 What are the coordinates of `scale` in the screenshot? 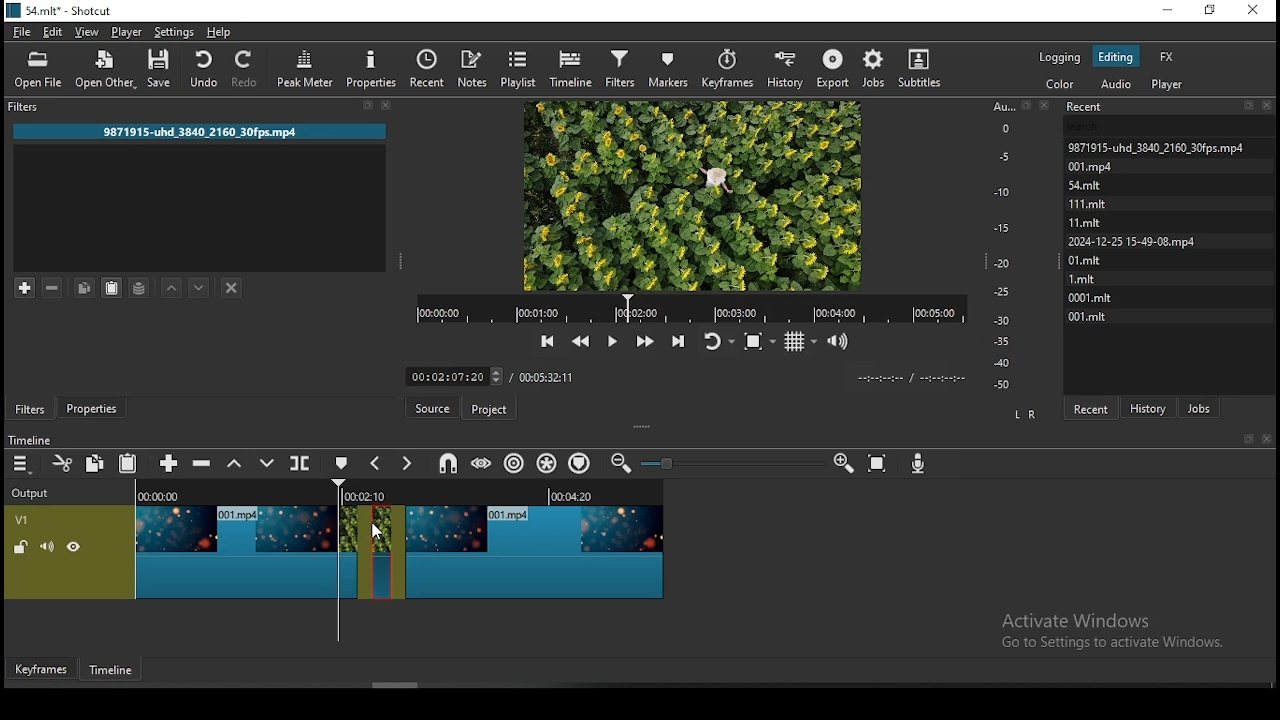 It's located at (1008, 243).